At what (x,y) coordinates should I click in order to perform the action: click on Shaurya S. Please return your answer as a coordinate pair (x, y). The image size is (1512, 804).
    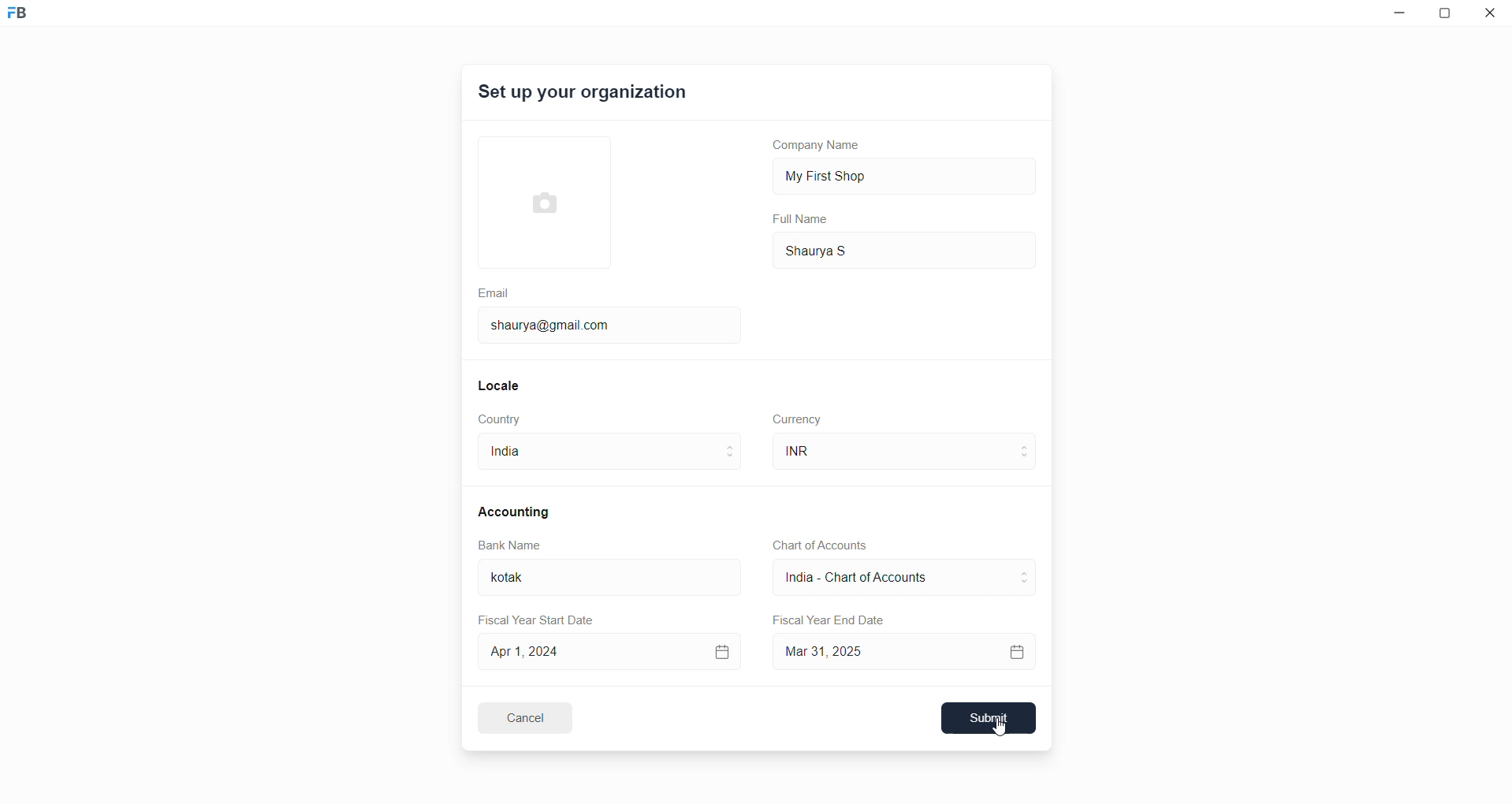
    Looking at the image, I should click on (840, 249).